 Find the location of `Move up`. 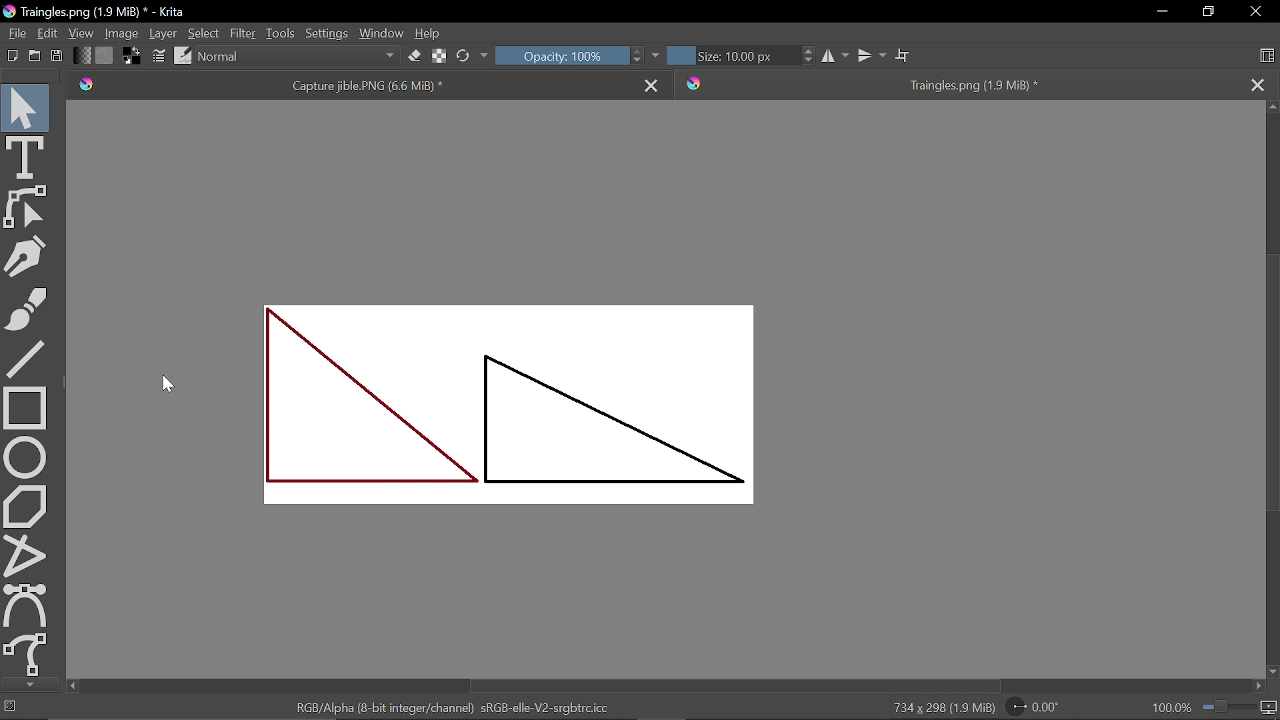

Move up is located at coordinates (1272, 107).